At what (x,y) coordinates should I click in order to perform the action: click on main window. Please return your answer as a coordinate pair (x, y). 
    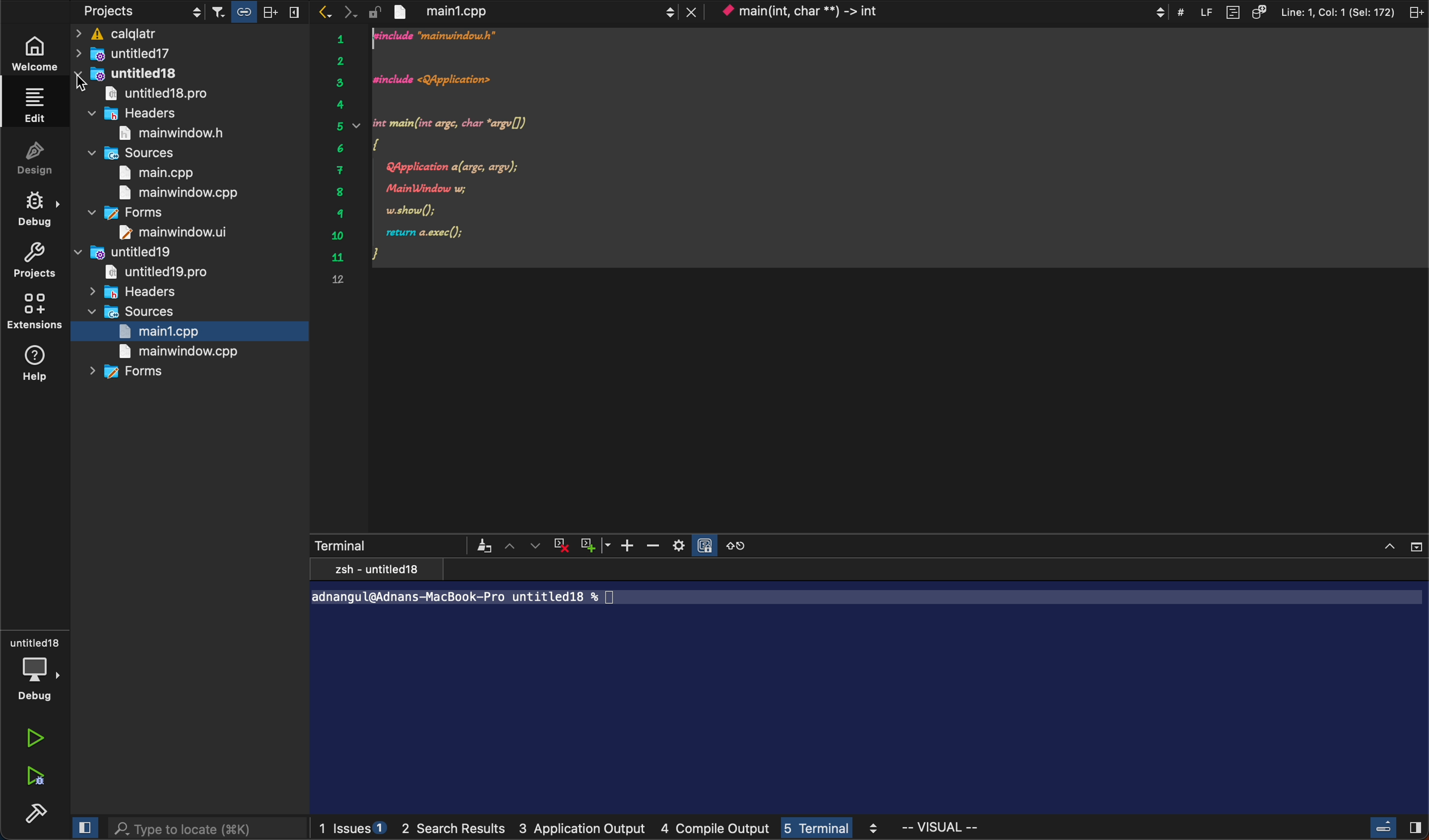
    Looking at the image, I should click on (170, 233).